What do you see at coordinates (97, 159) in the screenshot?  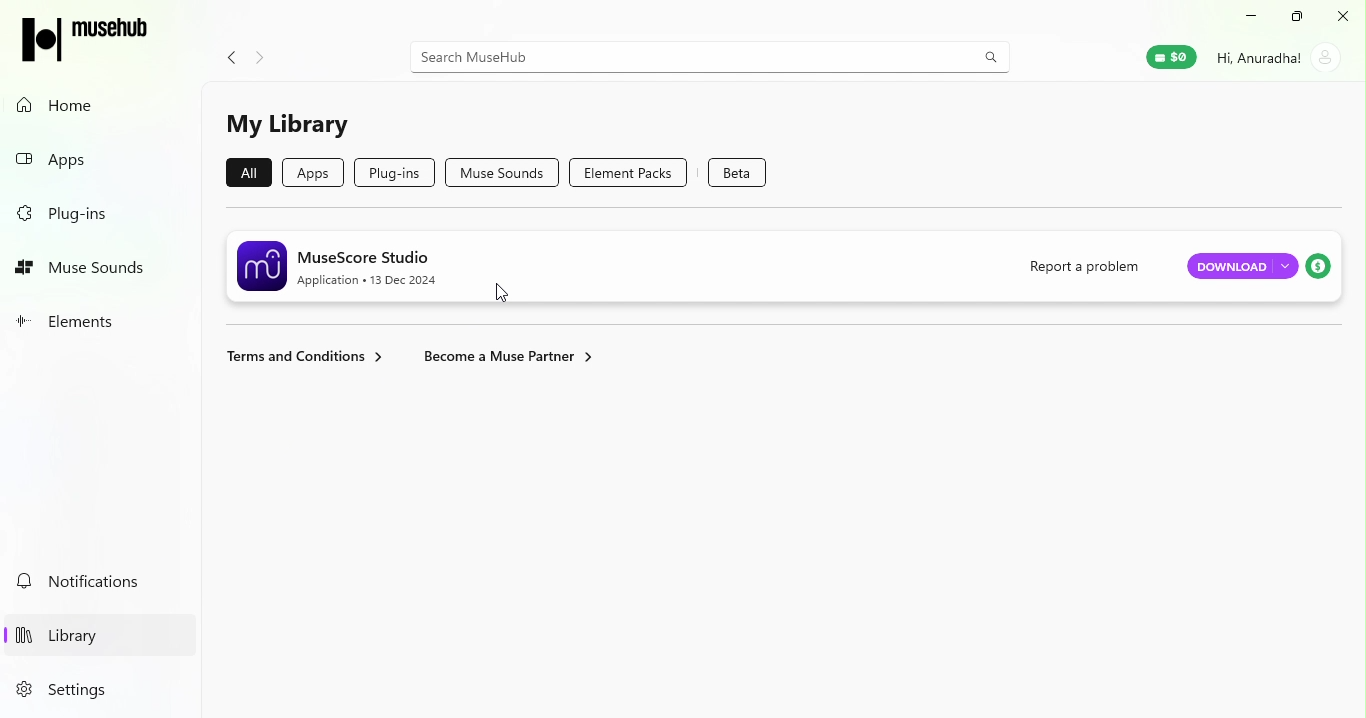 I see `Apps` at bounding box center [97, 159].